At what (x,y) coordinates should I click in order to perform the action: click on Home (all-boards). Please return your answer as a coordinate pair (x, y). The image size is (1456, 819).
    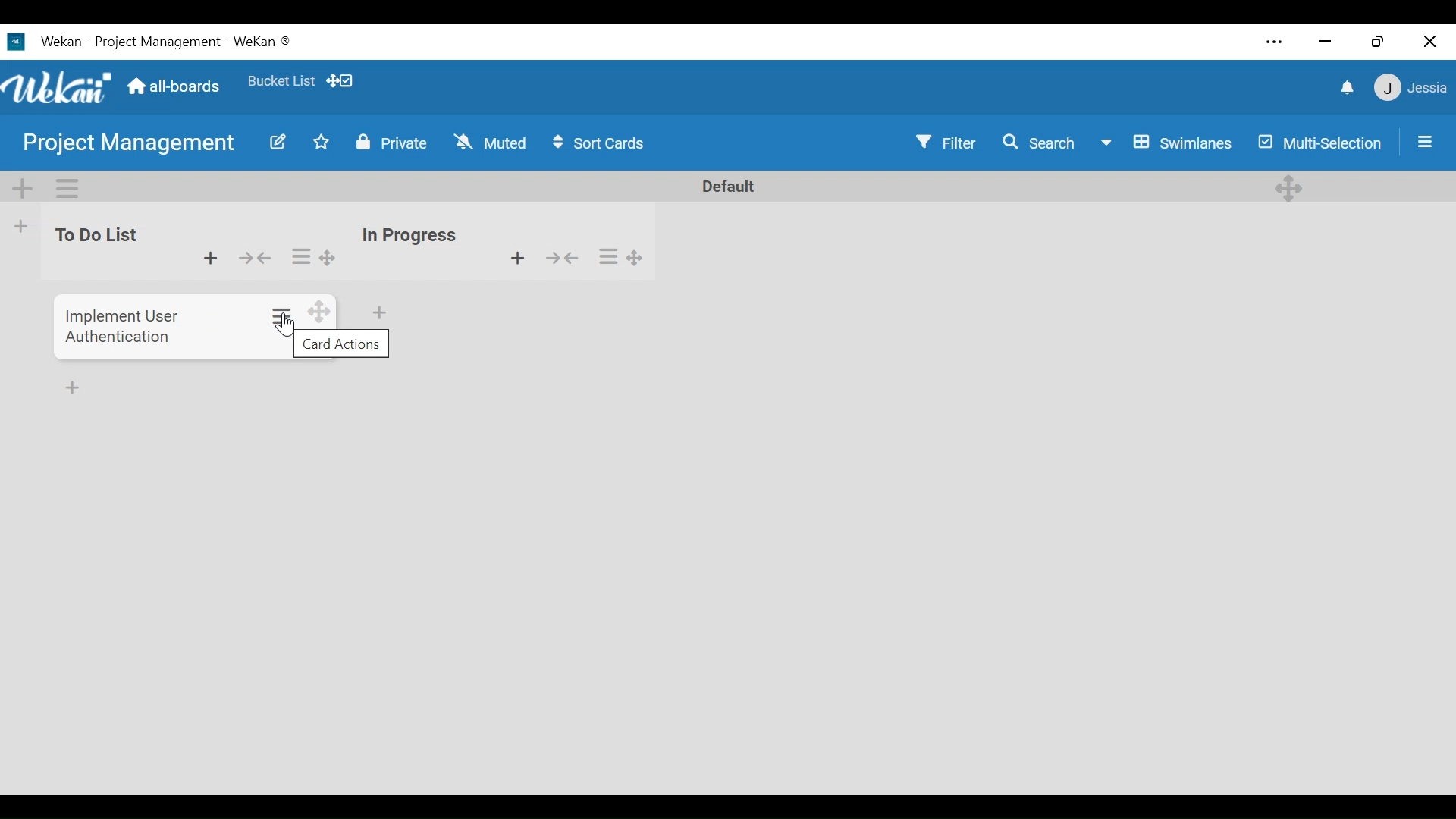
    Looking at the image, I should click on (176, 88).